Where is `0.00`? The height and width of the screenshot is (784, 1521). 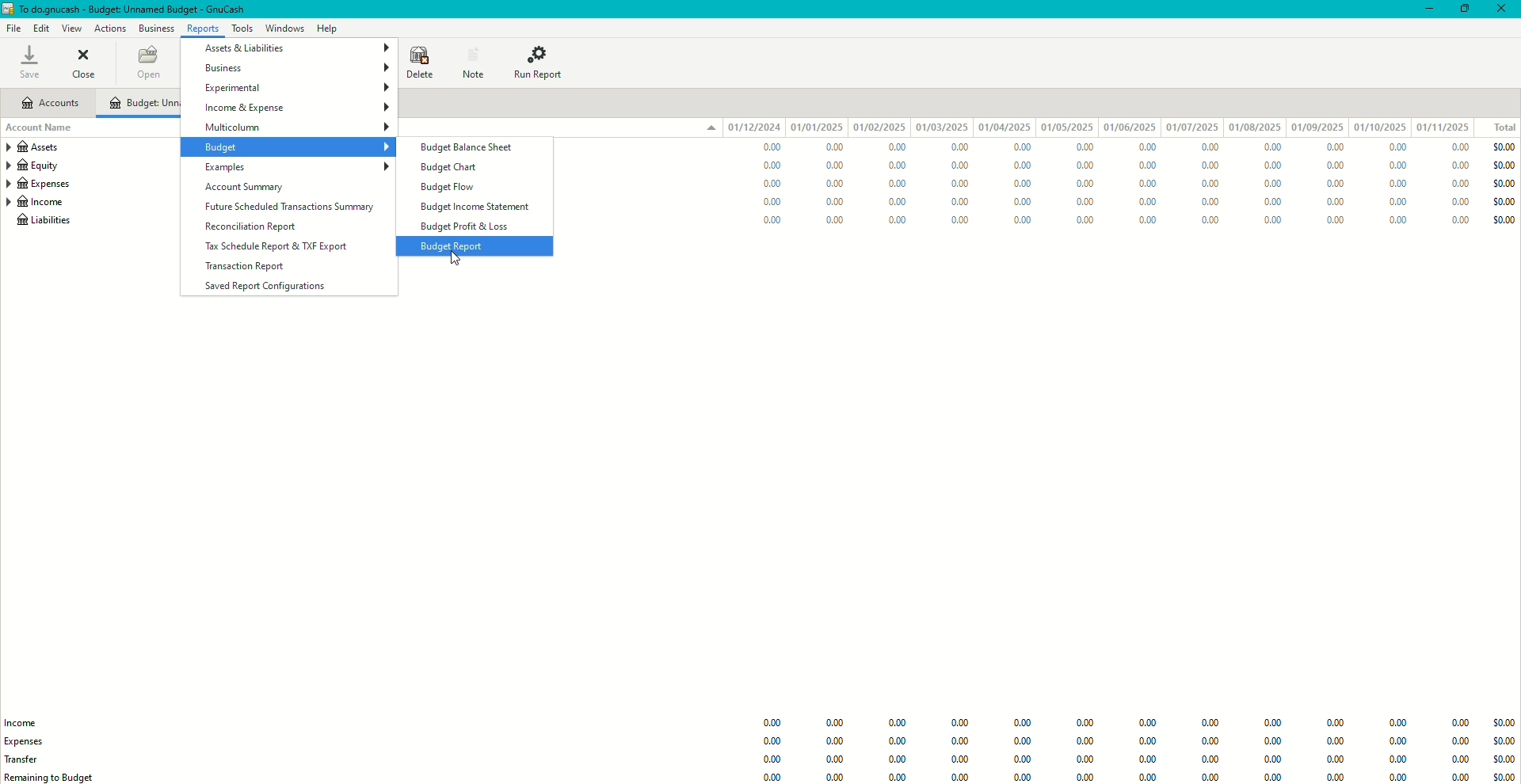 0.00 is located at coordinates (834, 725).